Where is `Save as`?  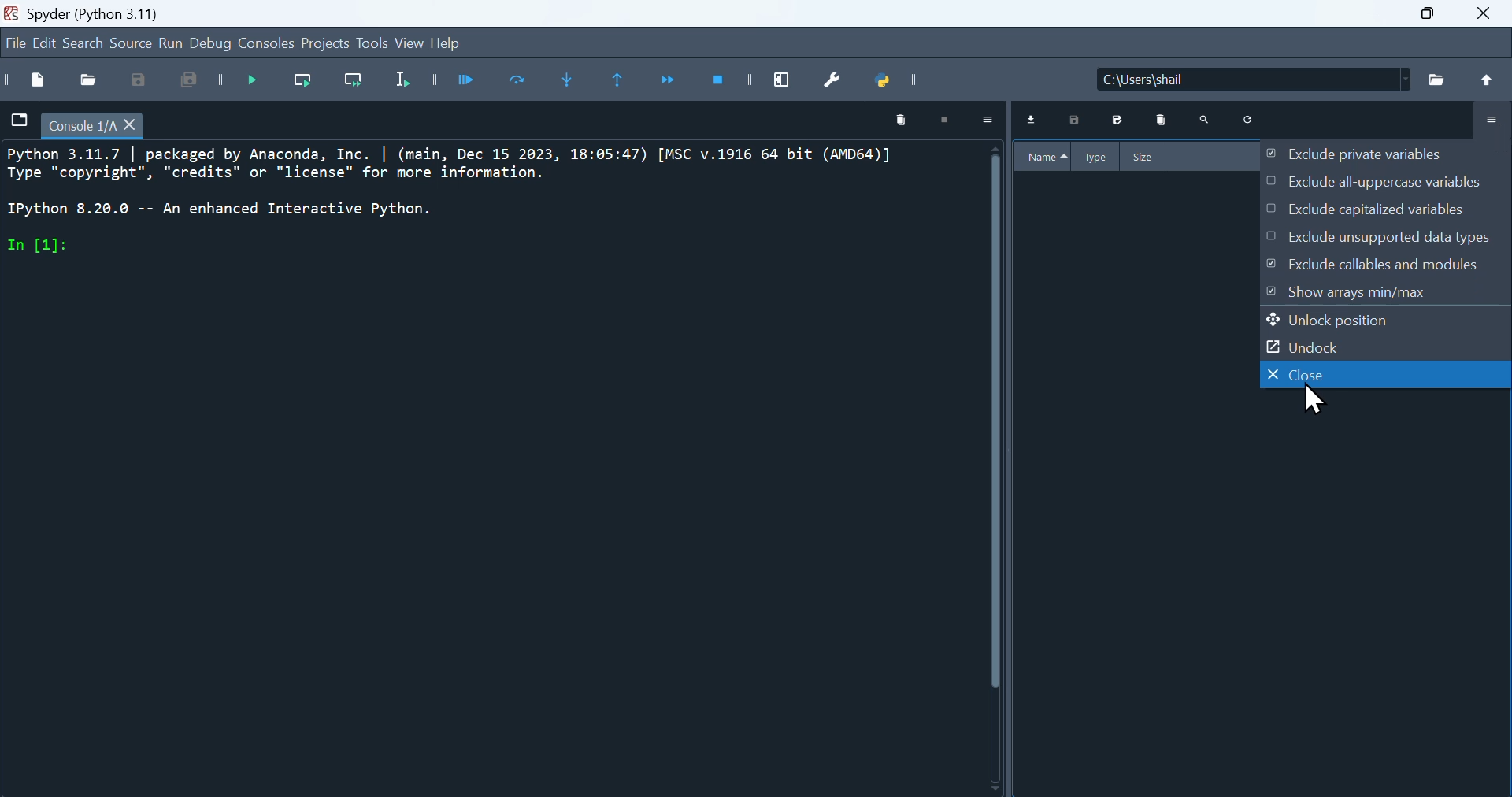 Save as is located at coordinates (1115, 121).